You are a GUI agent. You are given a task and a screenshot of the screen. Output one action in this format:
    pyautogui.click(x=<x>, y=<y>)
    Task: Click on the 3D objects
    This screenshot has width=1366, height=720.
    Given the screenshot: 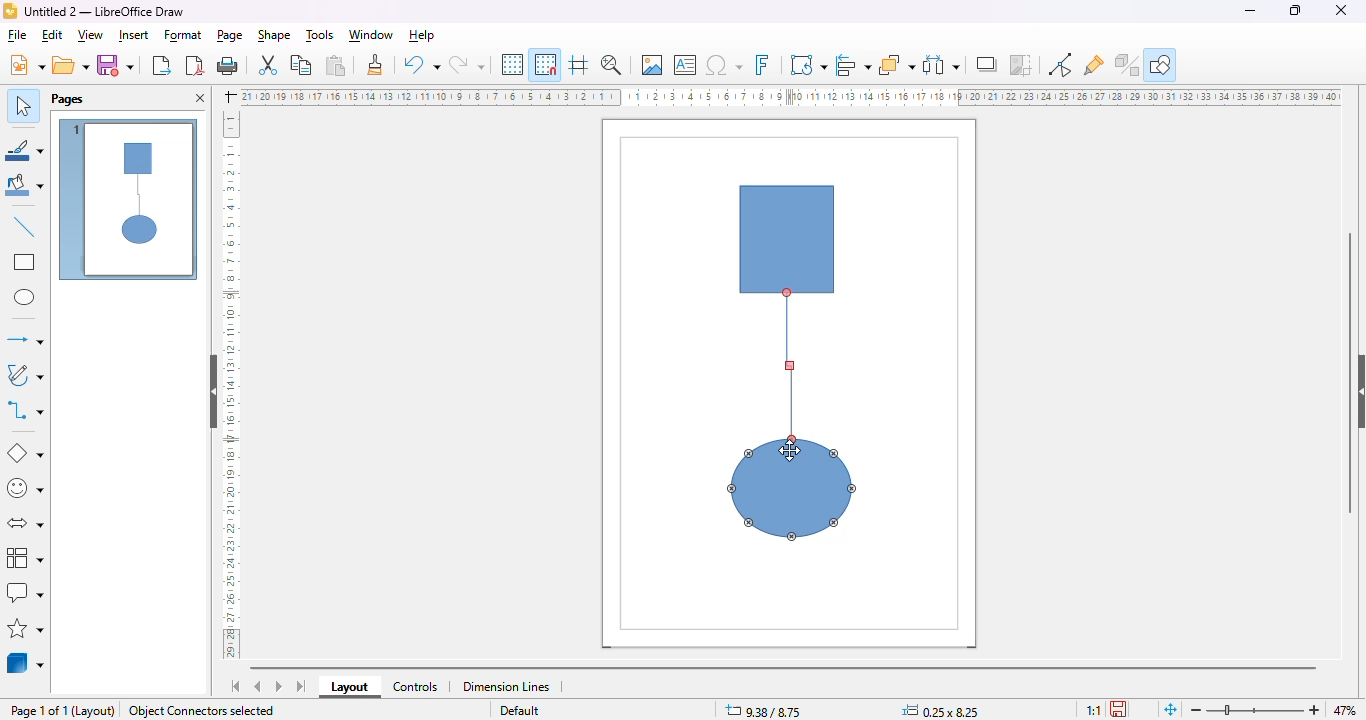 What is the action you would take?
    pyautogui.click(x=26, y=662)
    